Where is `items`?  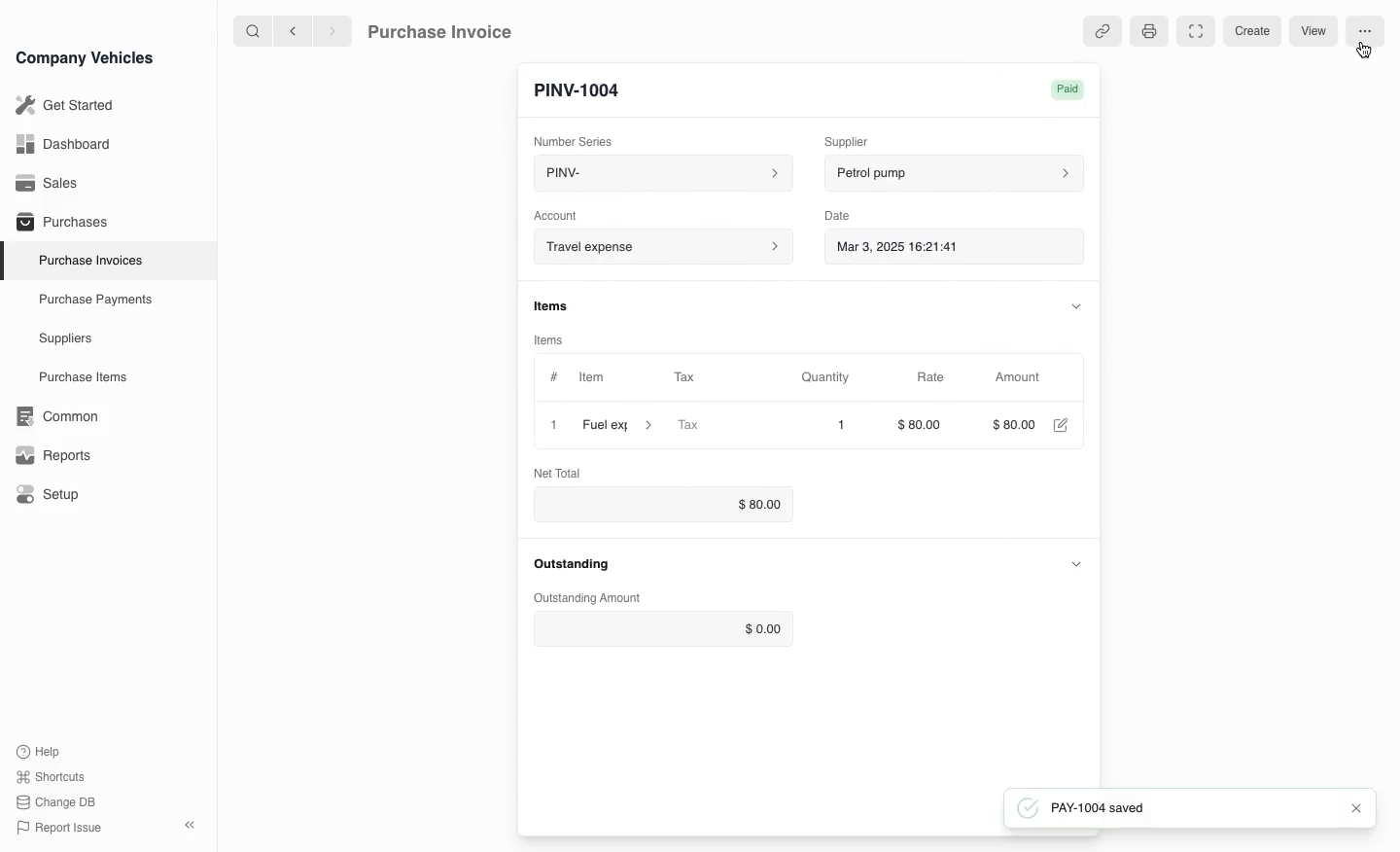
items is located at coordinates (547, 304).